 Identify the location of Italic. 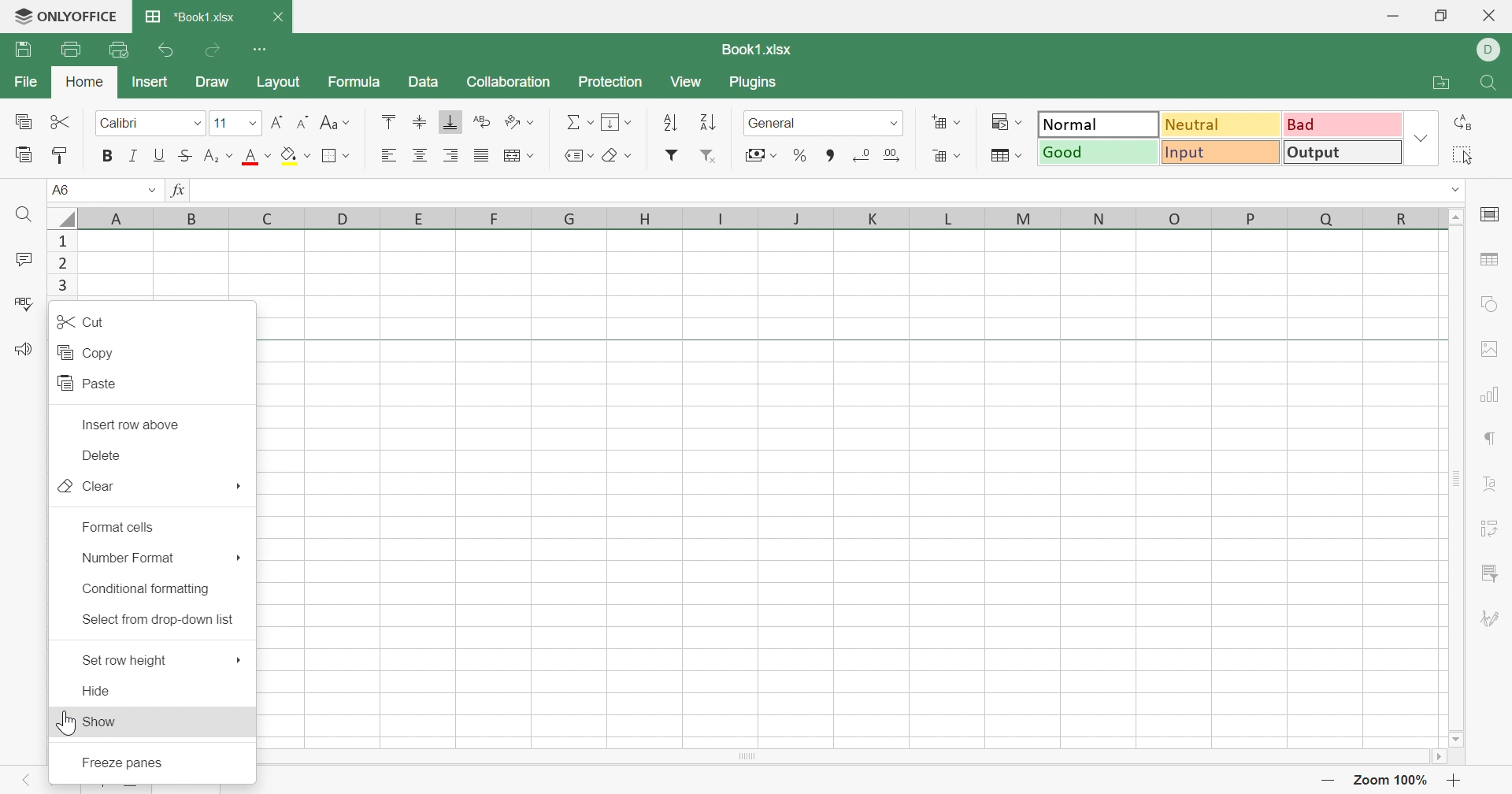
(135, 155).